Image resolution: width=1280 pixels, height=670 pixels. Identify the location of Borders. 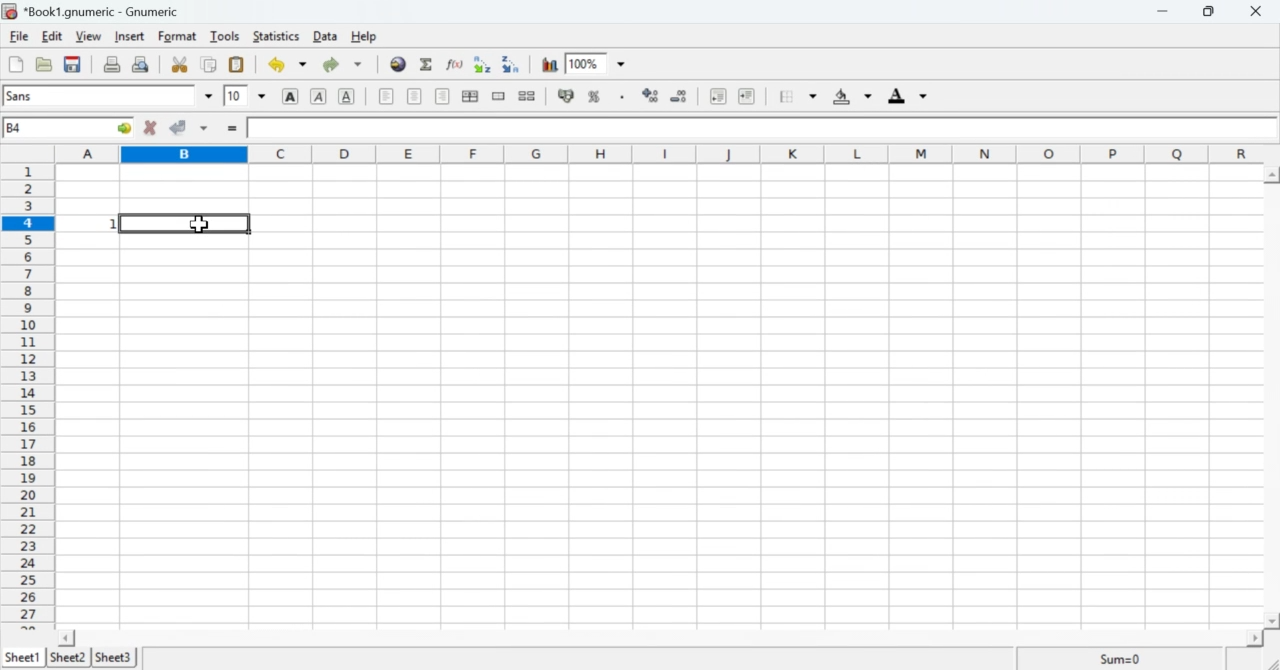
(797, 97).